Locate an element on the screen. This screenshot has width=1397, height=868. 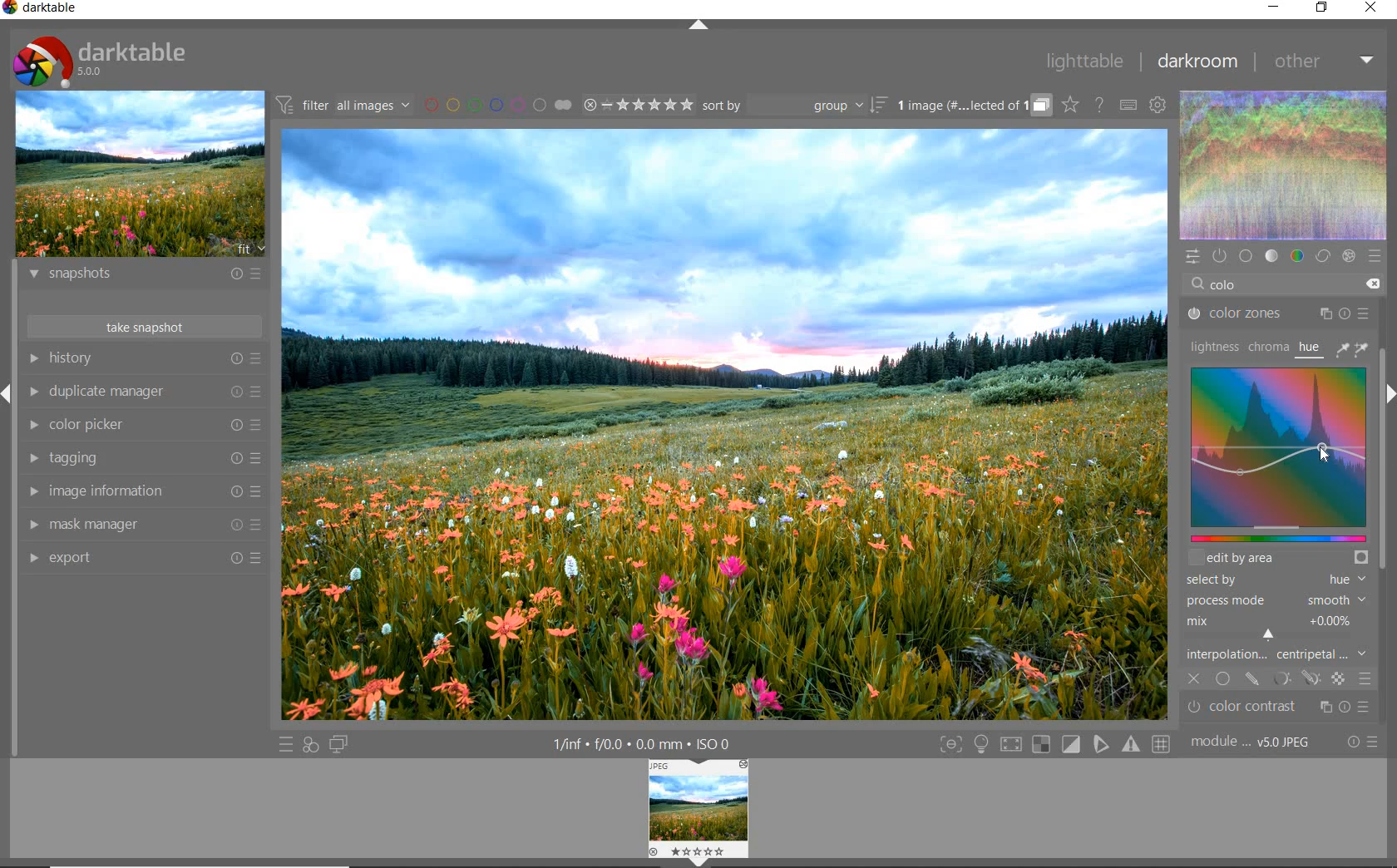
1/inf*f/0.0 mm*ISO 0 is located at coordinates (640, 745).